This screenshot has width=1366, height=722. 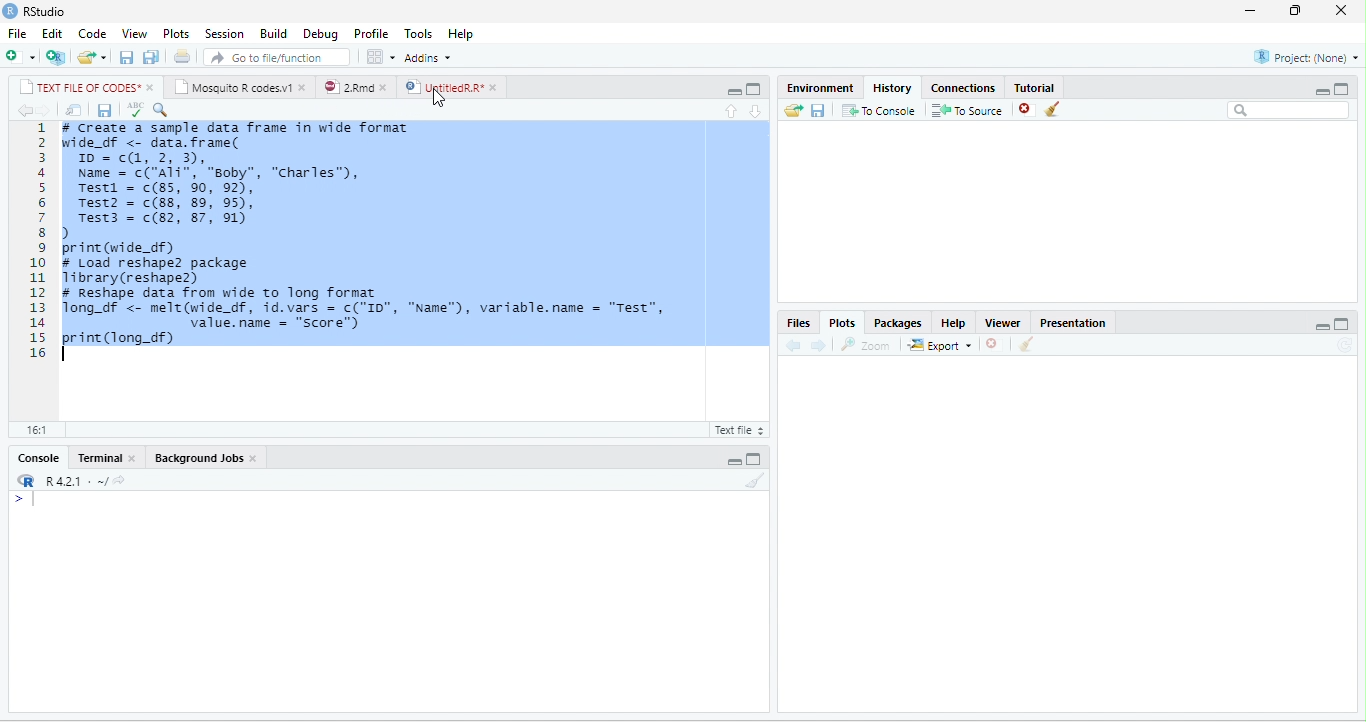 I want to click on Mosquito R codes.v1, so click(x=232, y=86).